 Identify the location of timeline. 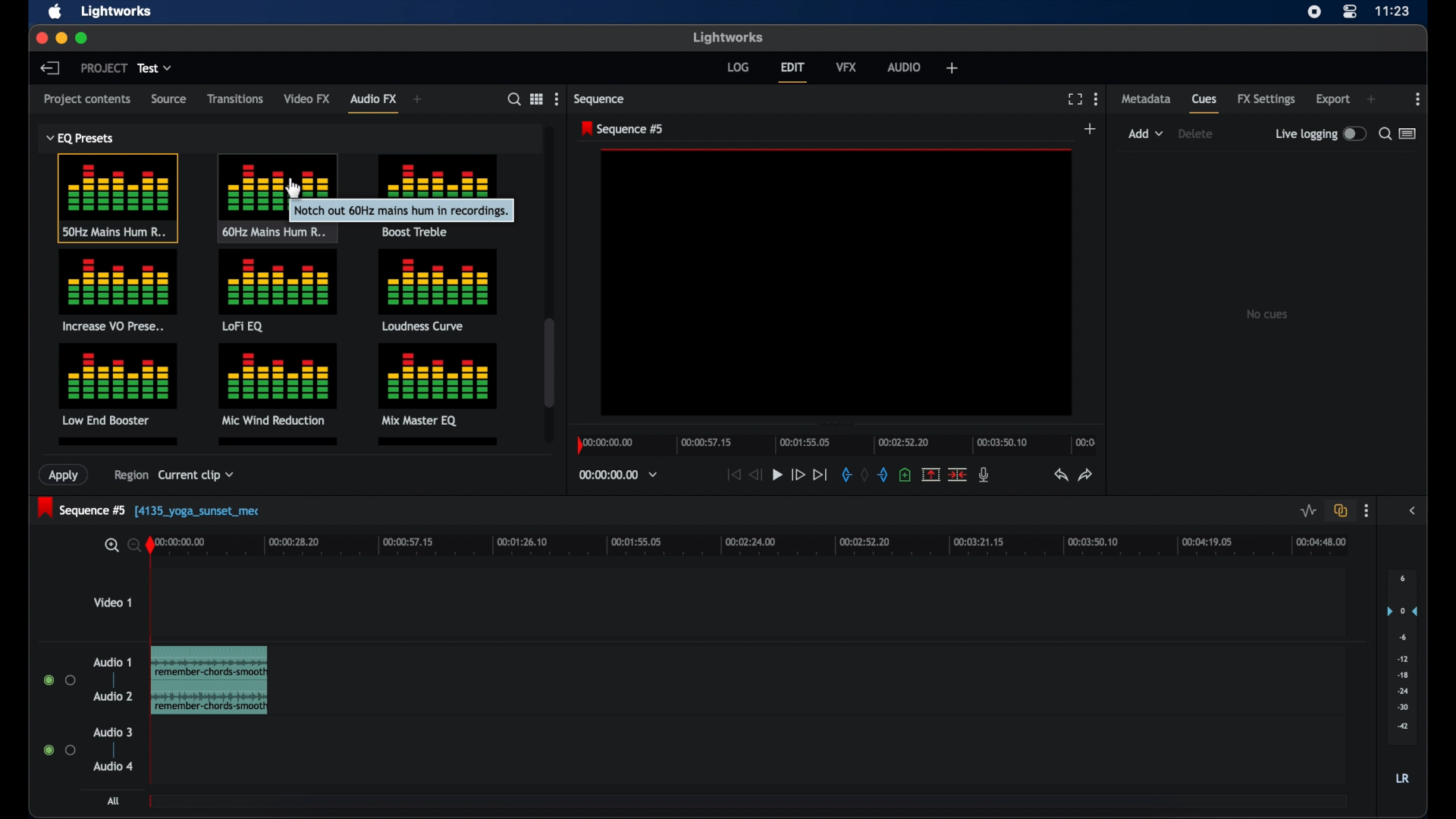
(834, 443).